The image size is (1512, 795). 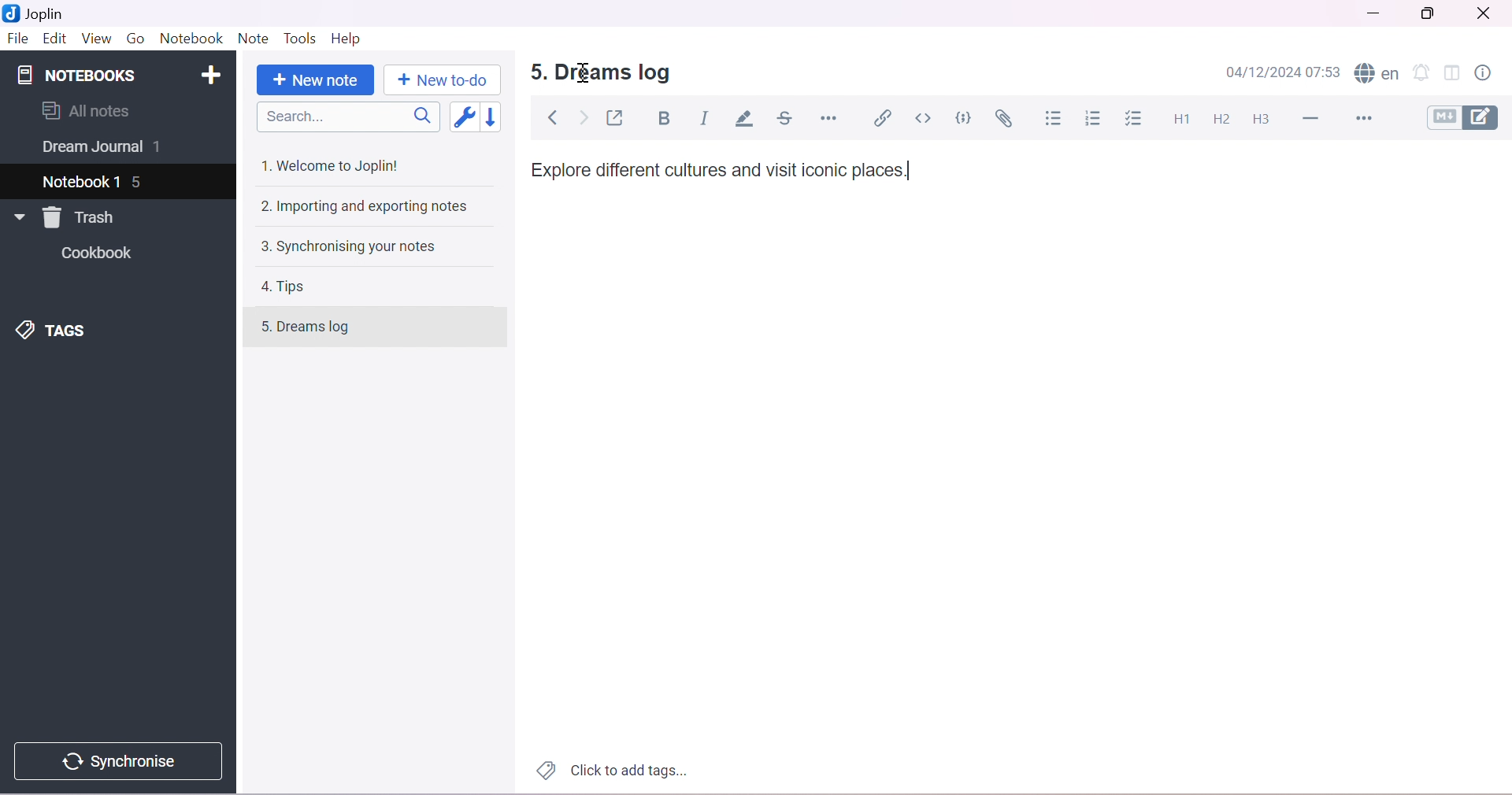 What do you see at coordinates (83, 179) in the screenshot?
I see `Notebook 1` at bounding box center [83, 179].